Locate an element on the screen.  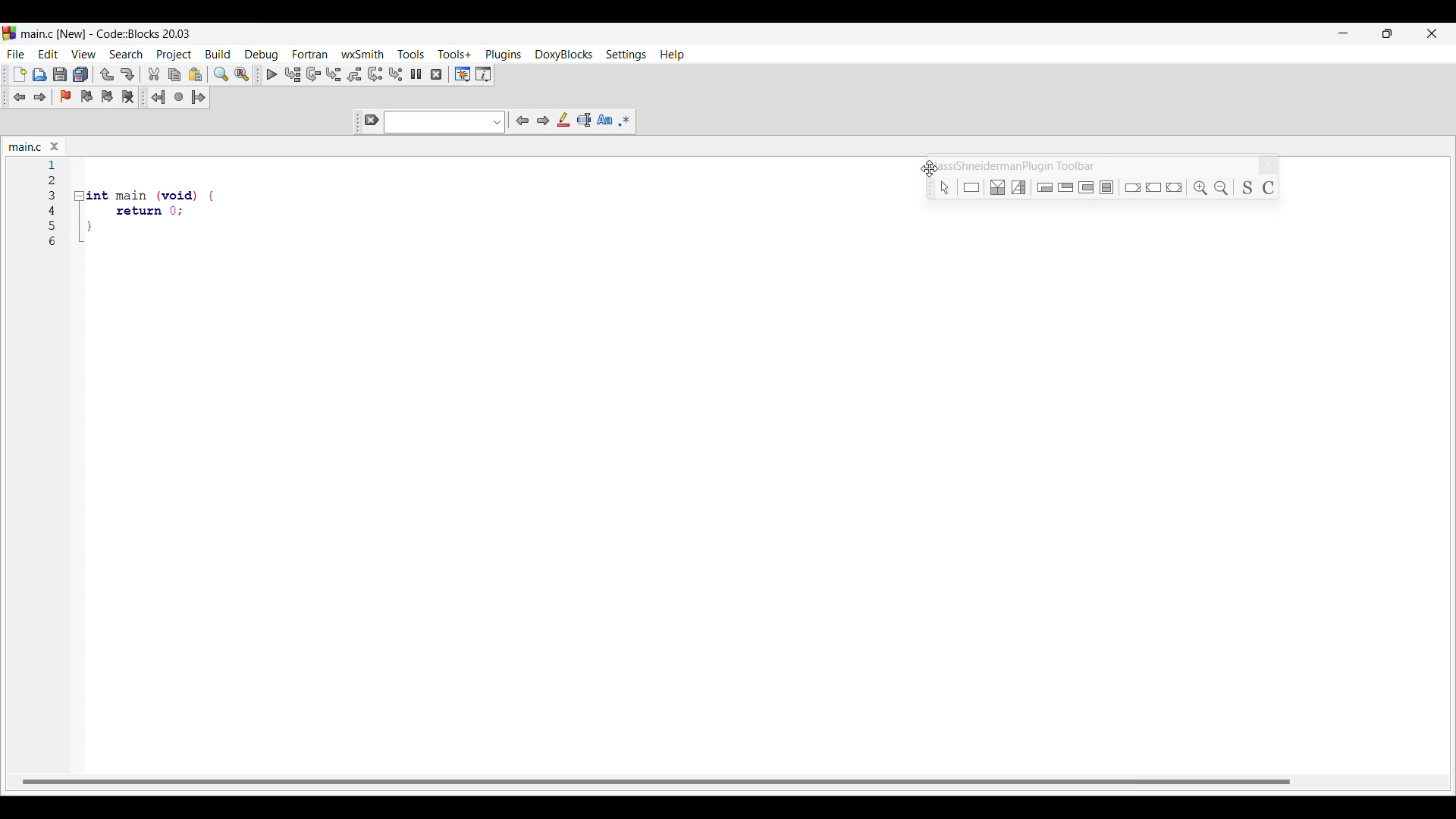
Paste is located at coordinates (196, 74).